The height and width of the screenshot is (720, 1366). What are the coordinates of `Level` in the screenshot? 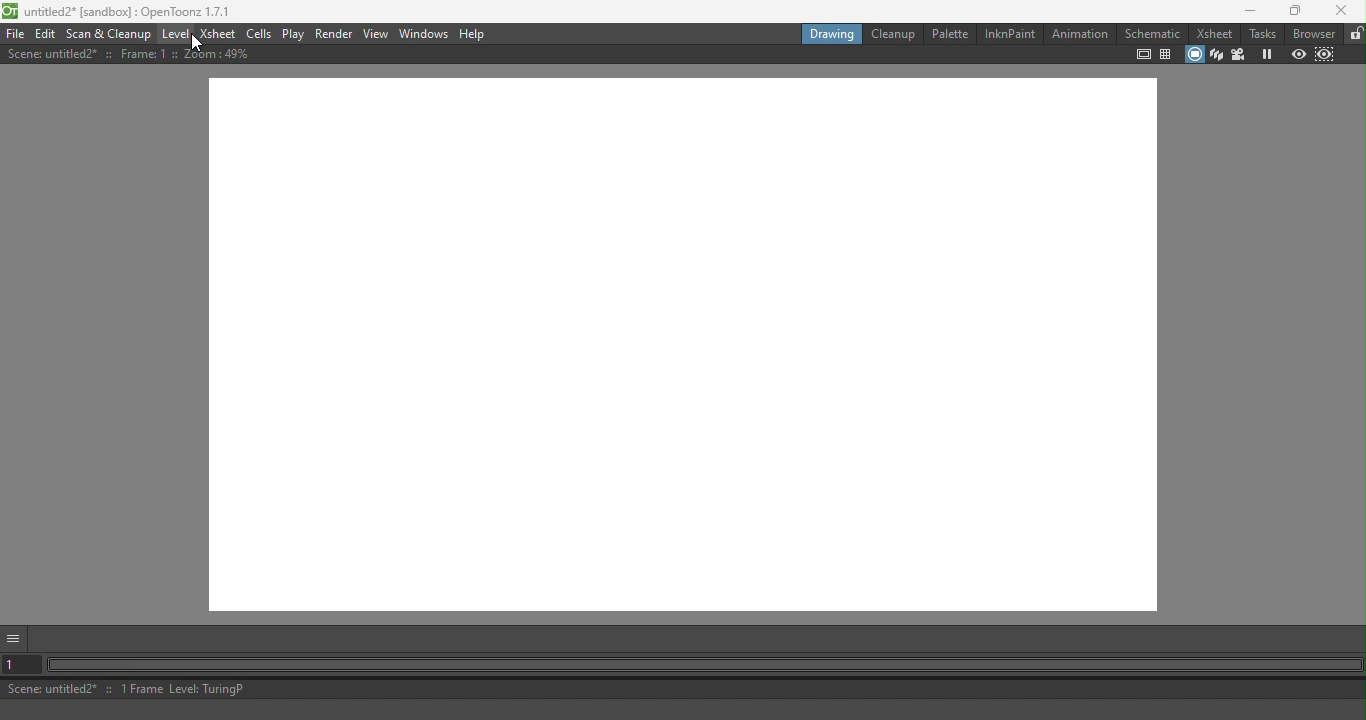 It's located at (174, 34).